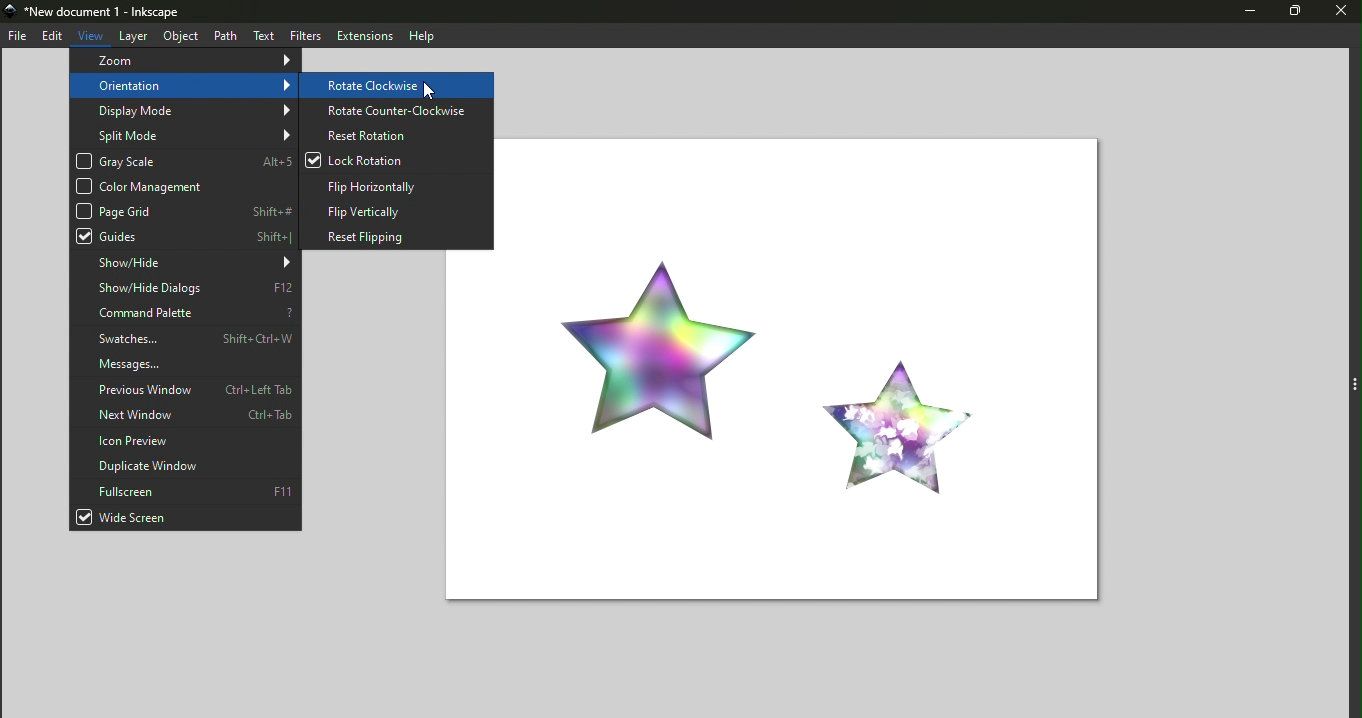 Image resolution: width=1362 pixels, height=718 pixels. I want to click on Edit, so click(52, 36).